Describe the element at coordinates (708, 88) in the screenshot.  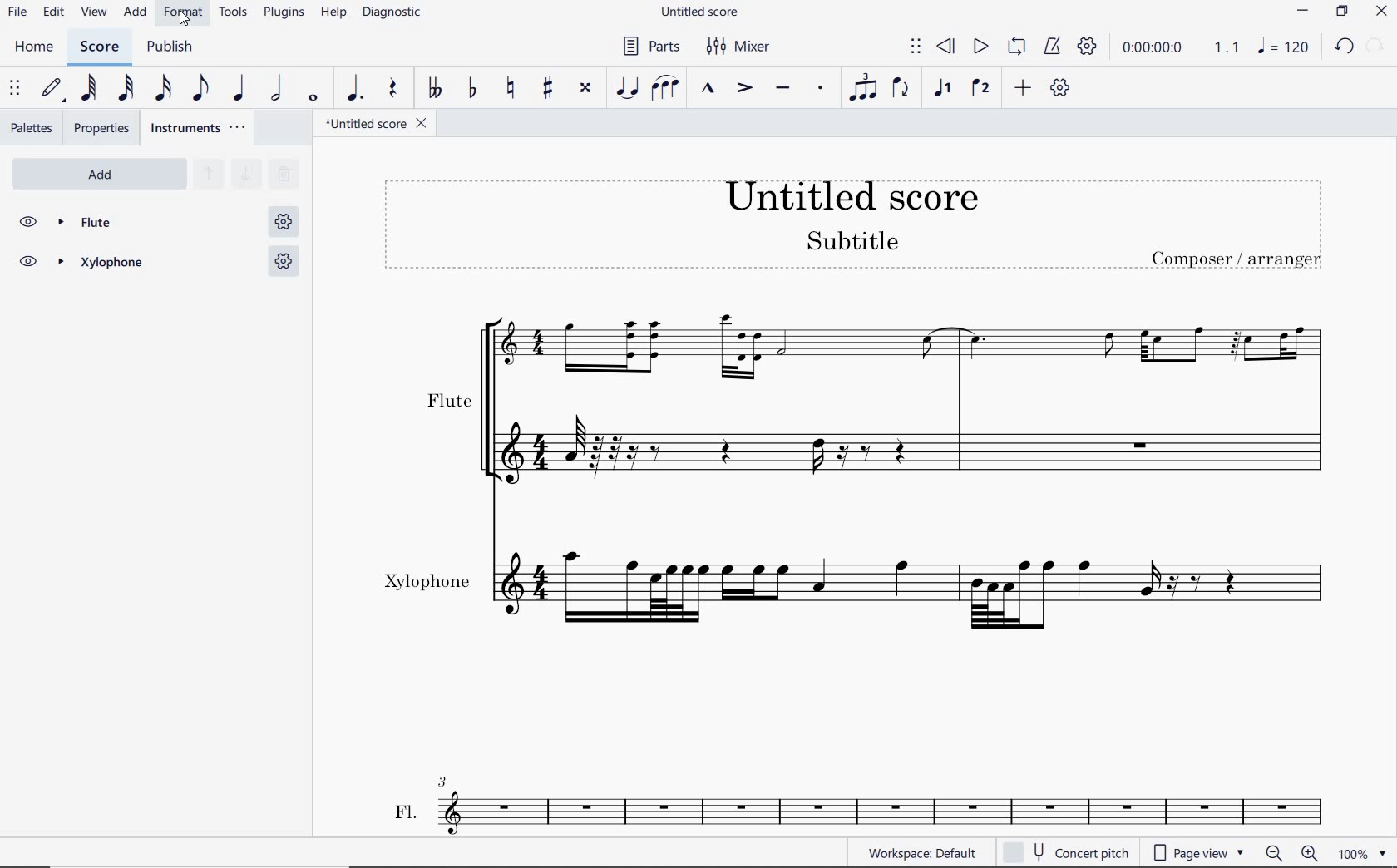
I see `MARCATO` at that location.